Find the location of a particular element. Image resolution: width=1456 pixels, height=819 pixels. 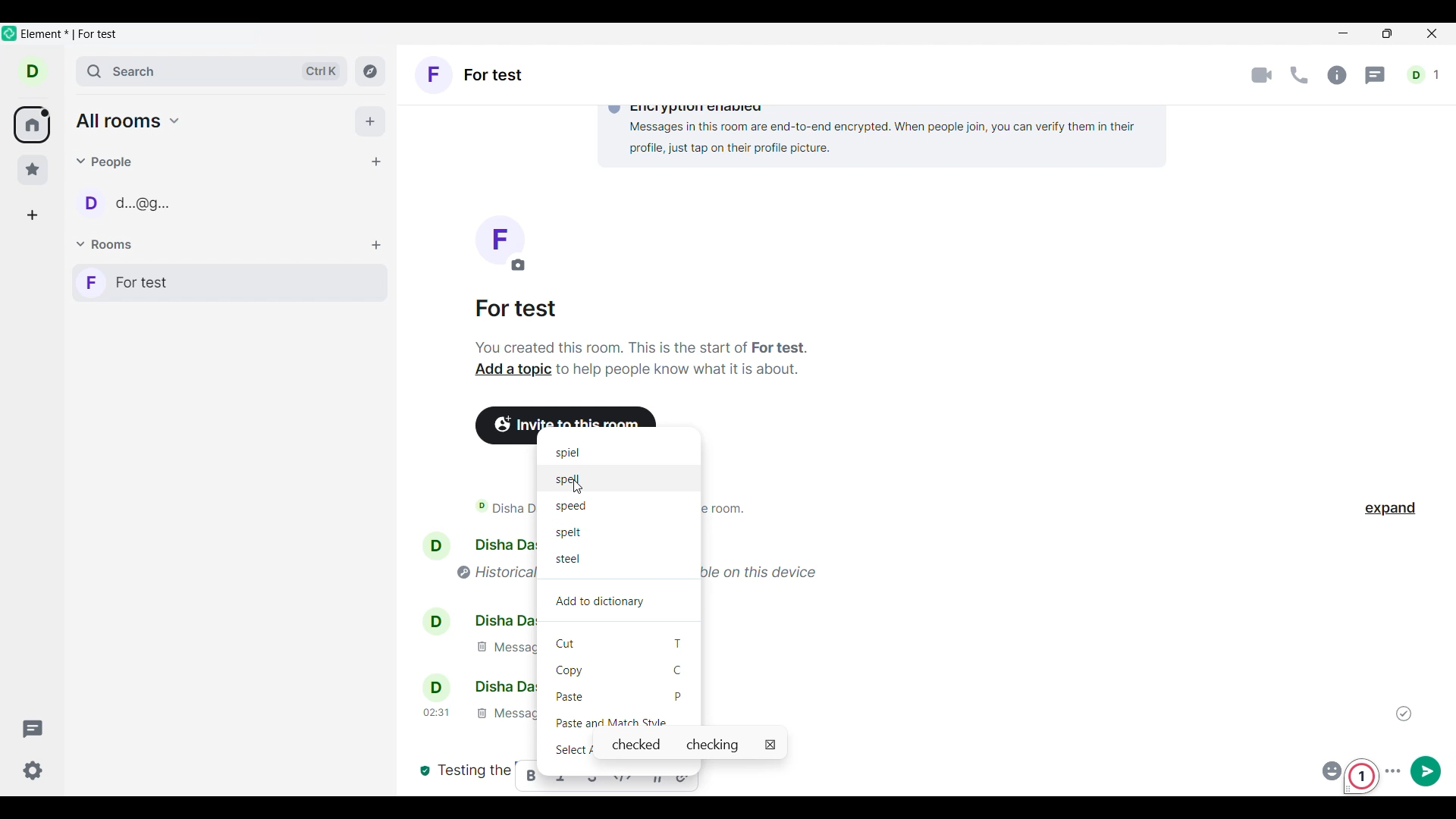

Explore rooms is located at coordinates (370, 71).